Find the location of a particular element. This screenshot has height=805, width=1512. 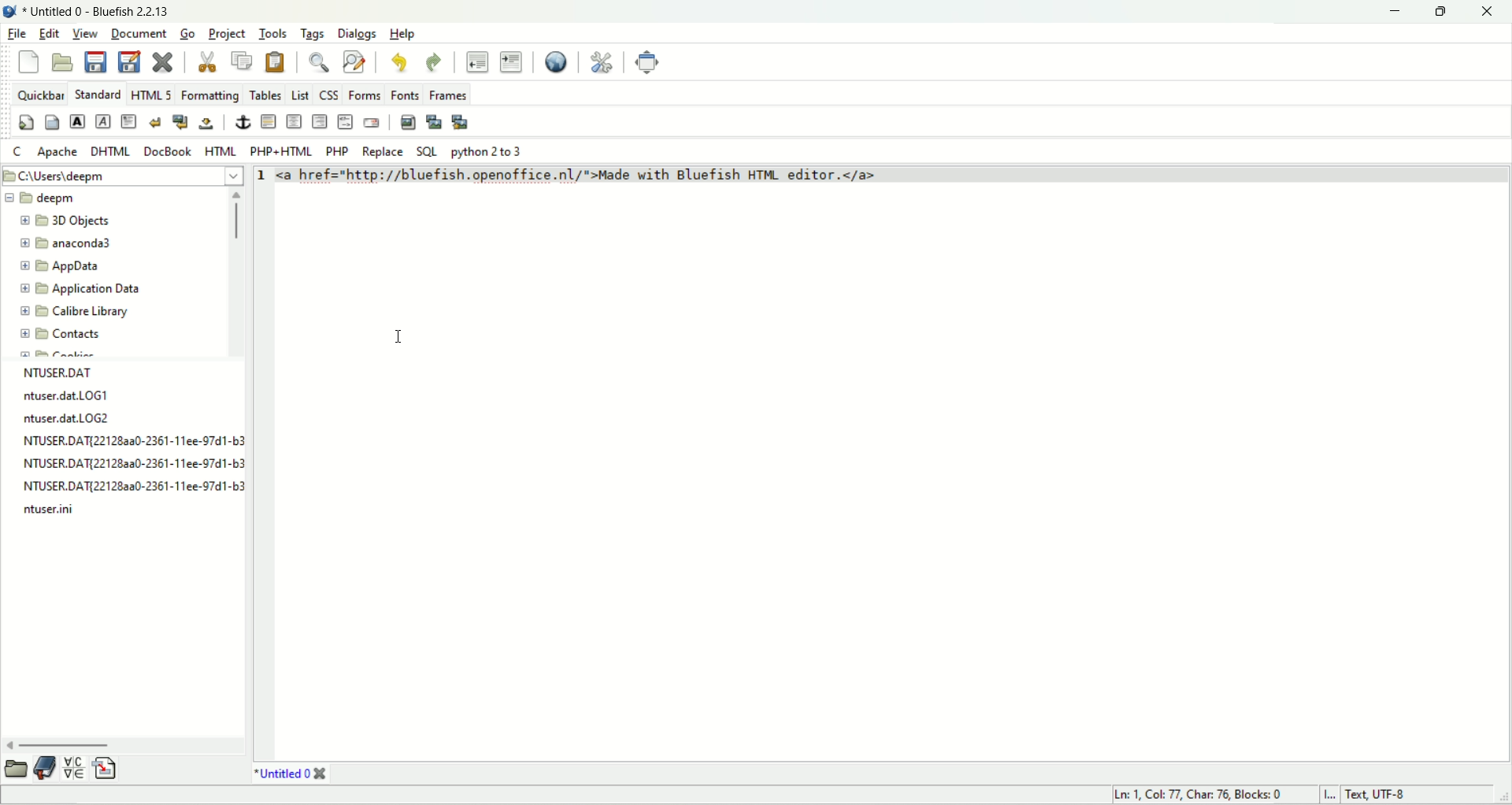

line number is located at coordinates (265, 176).